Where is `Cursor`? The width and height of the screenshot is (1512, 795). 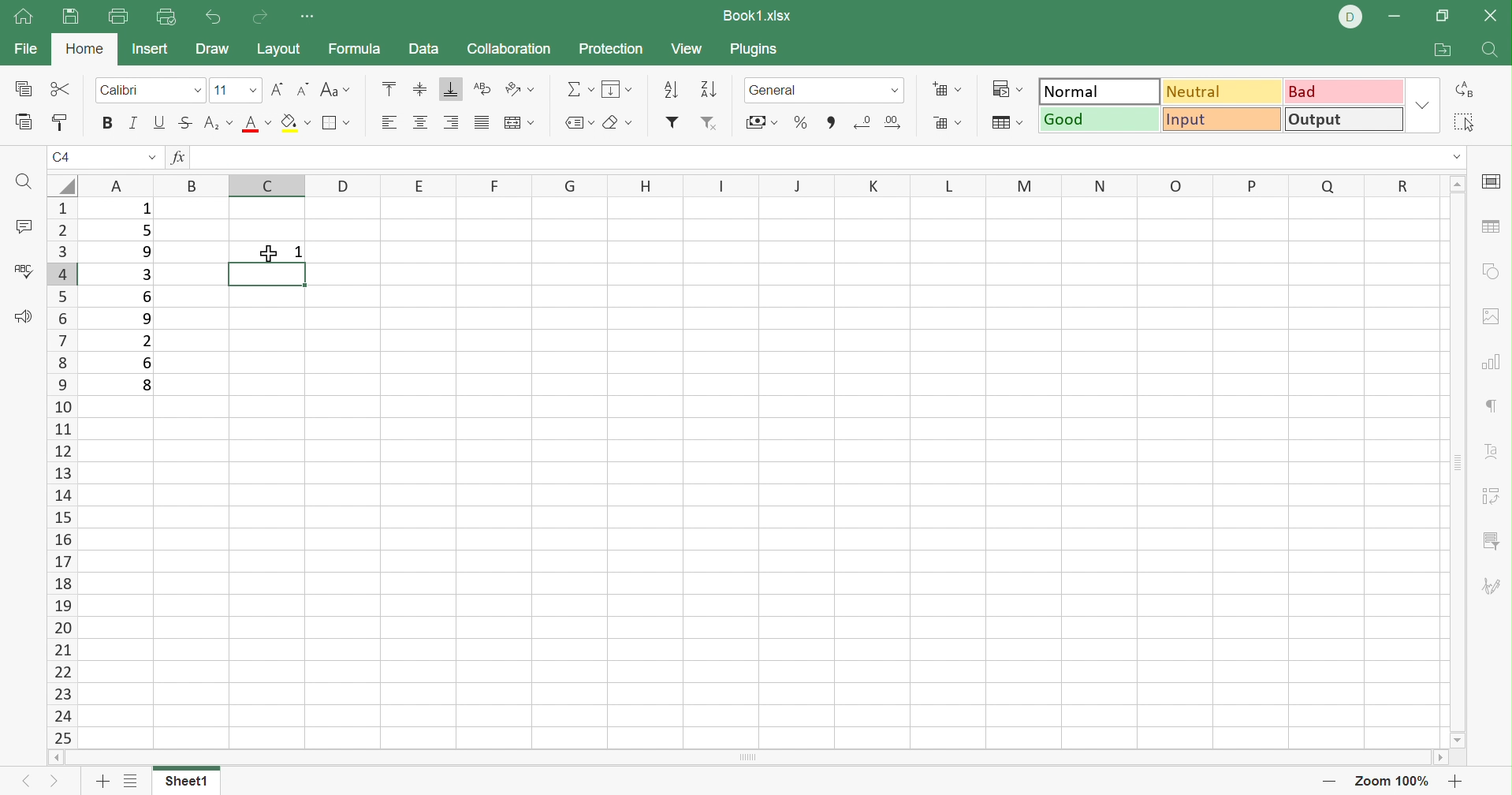
Cursor is located at coordinates (271, 252).